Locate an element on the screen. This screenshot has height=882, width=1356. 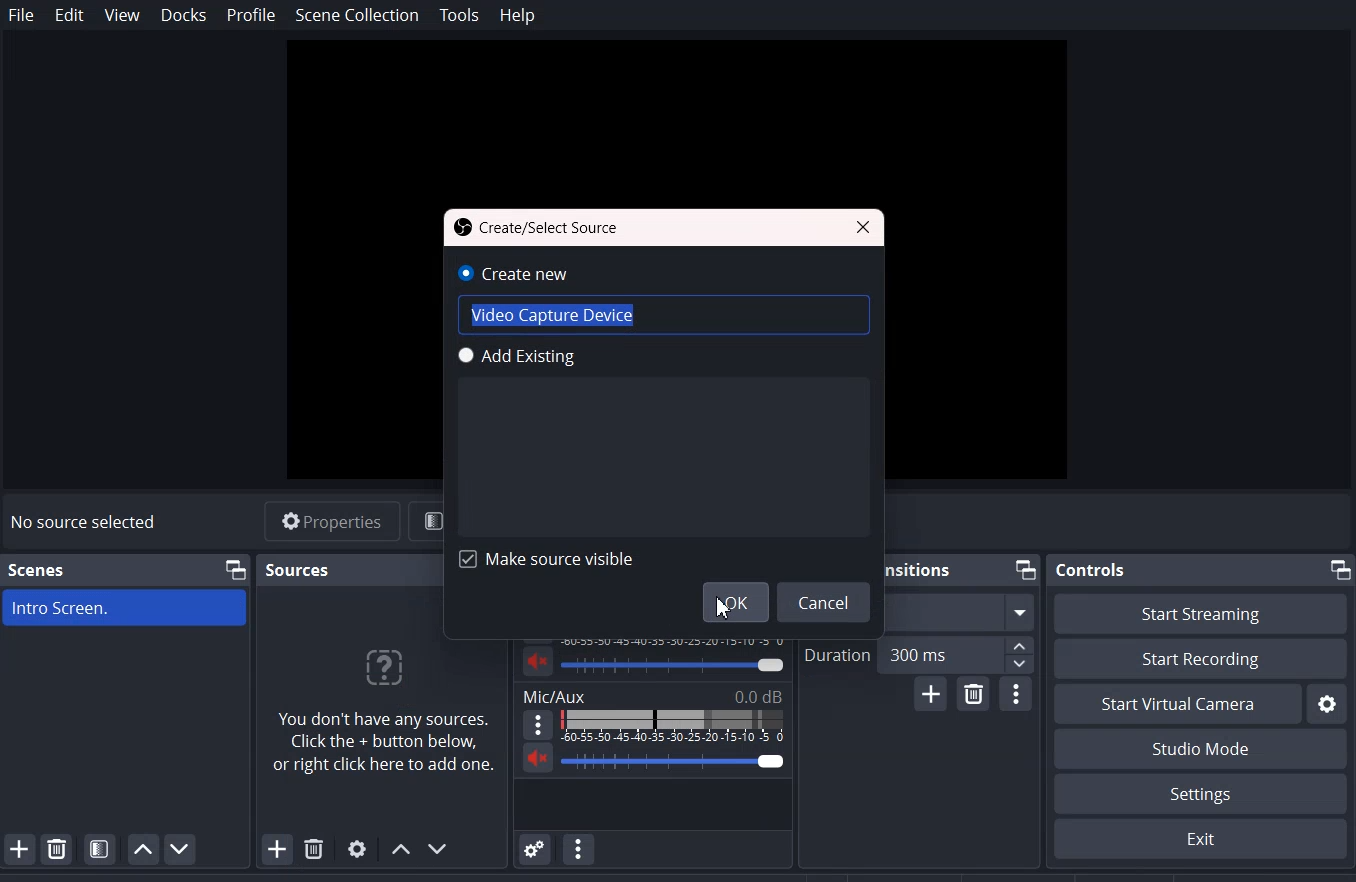
Maximize is located at coordinates (1339, 568).